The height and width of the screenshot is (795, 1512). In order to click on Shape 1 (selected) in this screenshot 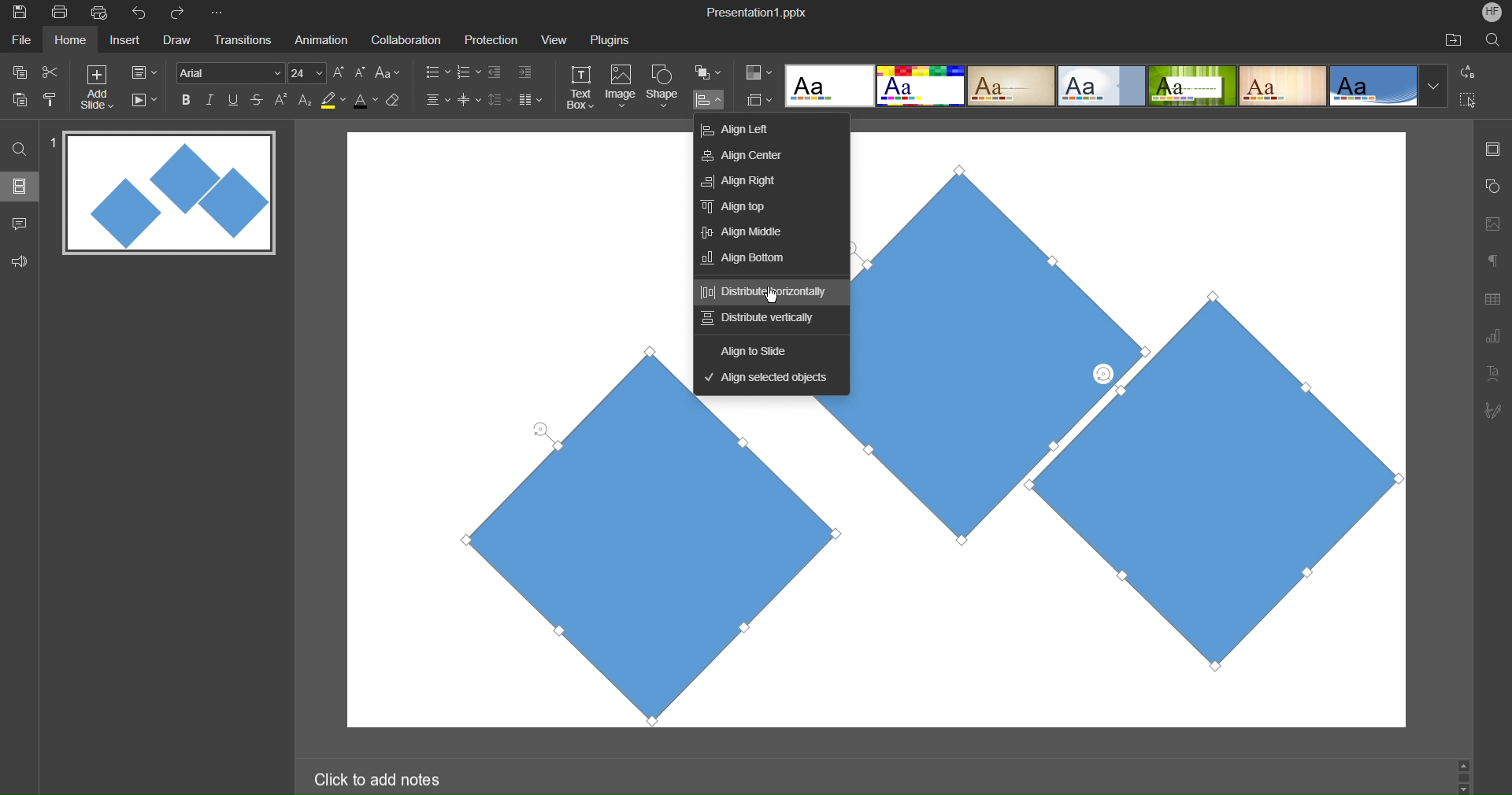, I will do `click(632, 564)`.